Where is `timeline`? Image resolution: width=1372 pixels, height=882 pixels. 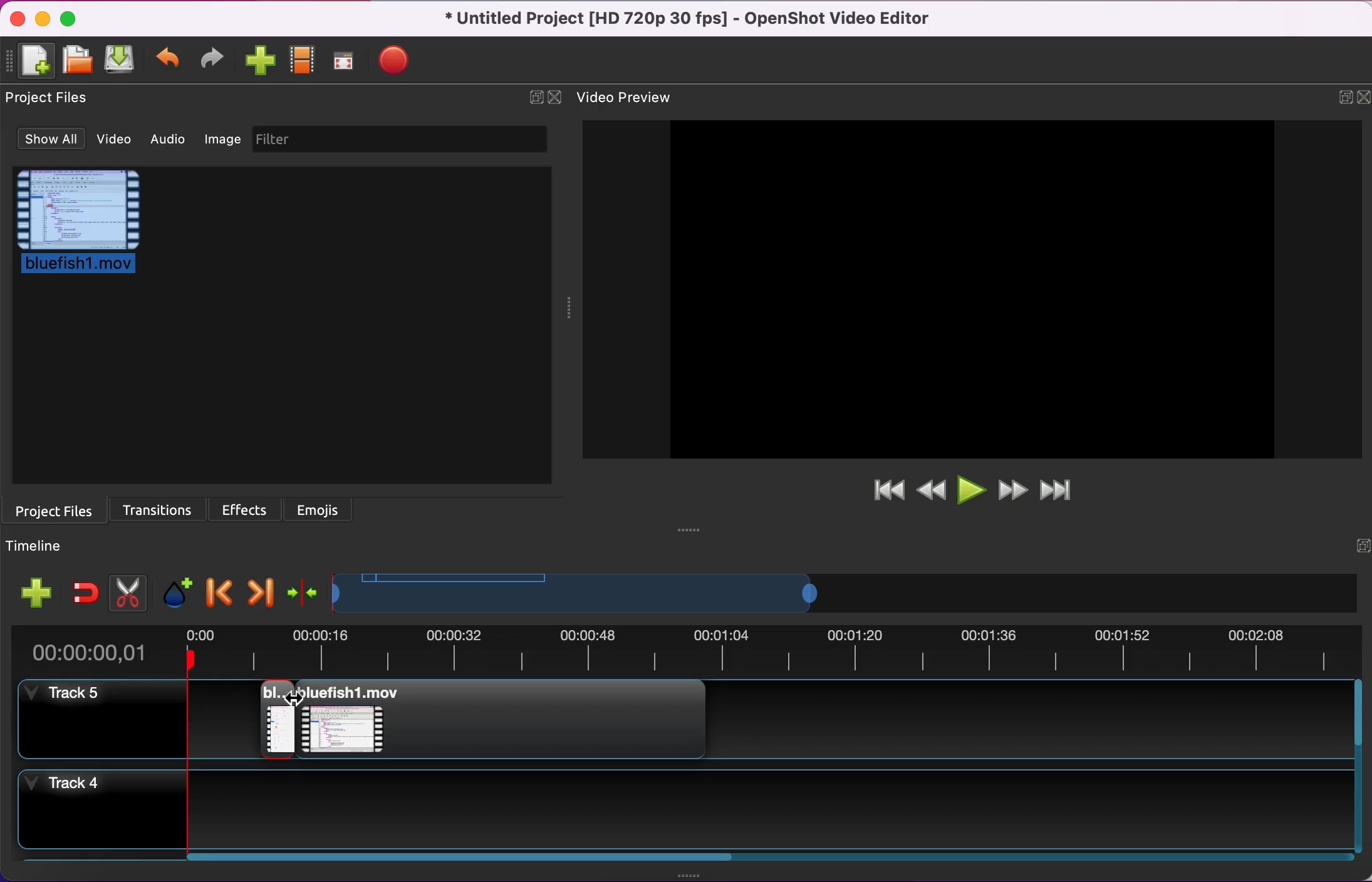 timeline is located at coordinates (591, 593).